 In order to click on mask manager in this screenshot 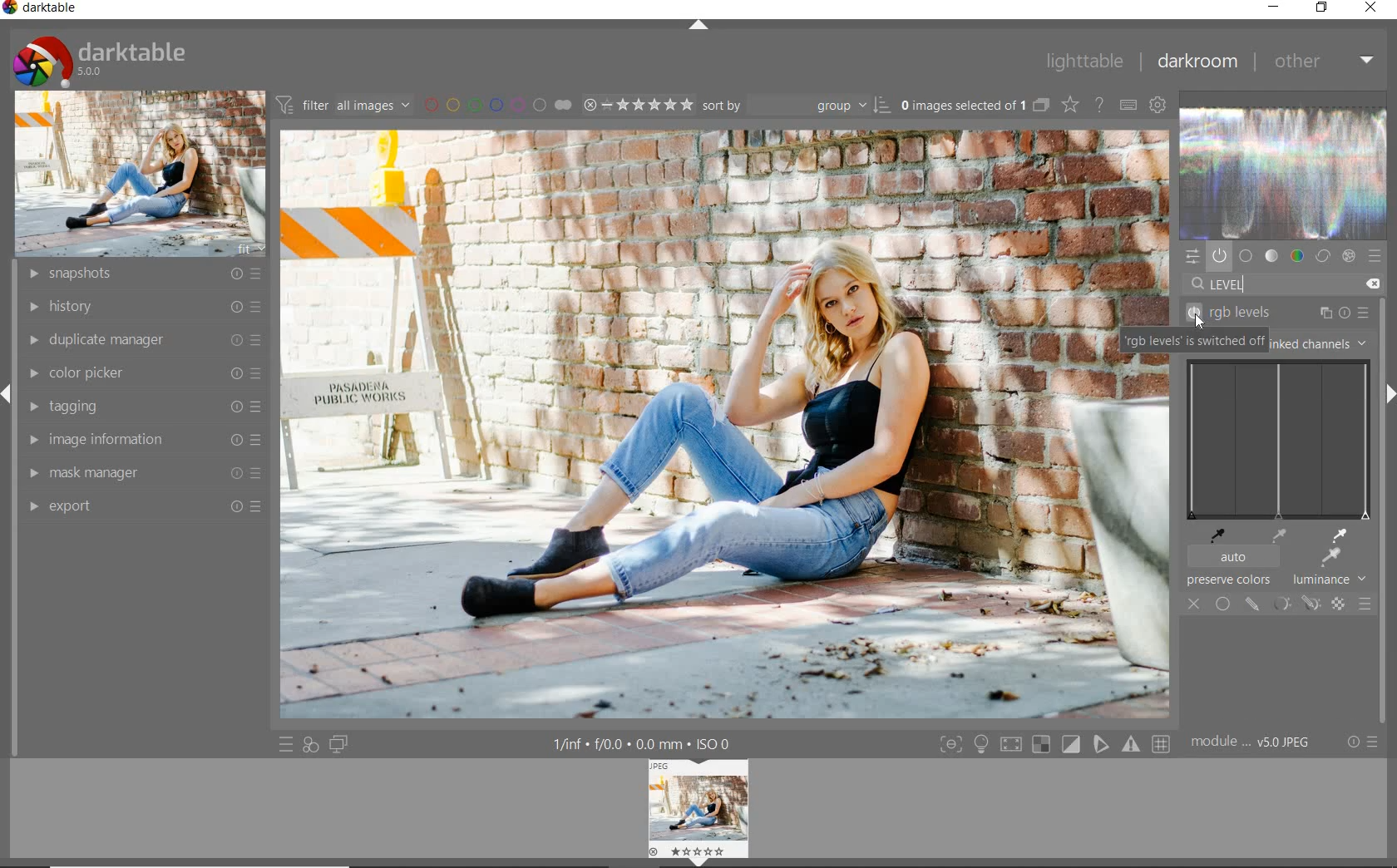, I will do `click(141, 474)`.